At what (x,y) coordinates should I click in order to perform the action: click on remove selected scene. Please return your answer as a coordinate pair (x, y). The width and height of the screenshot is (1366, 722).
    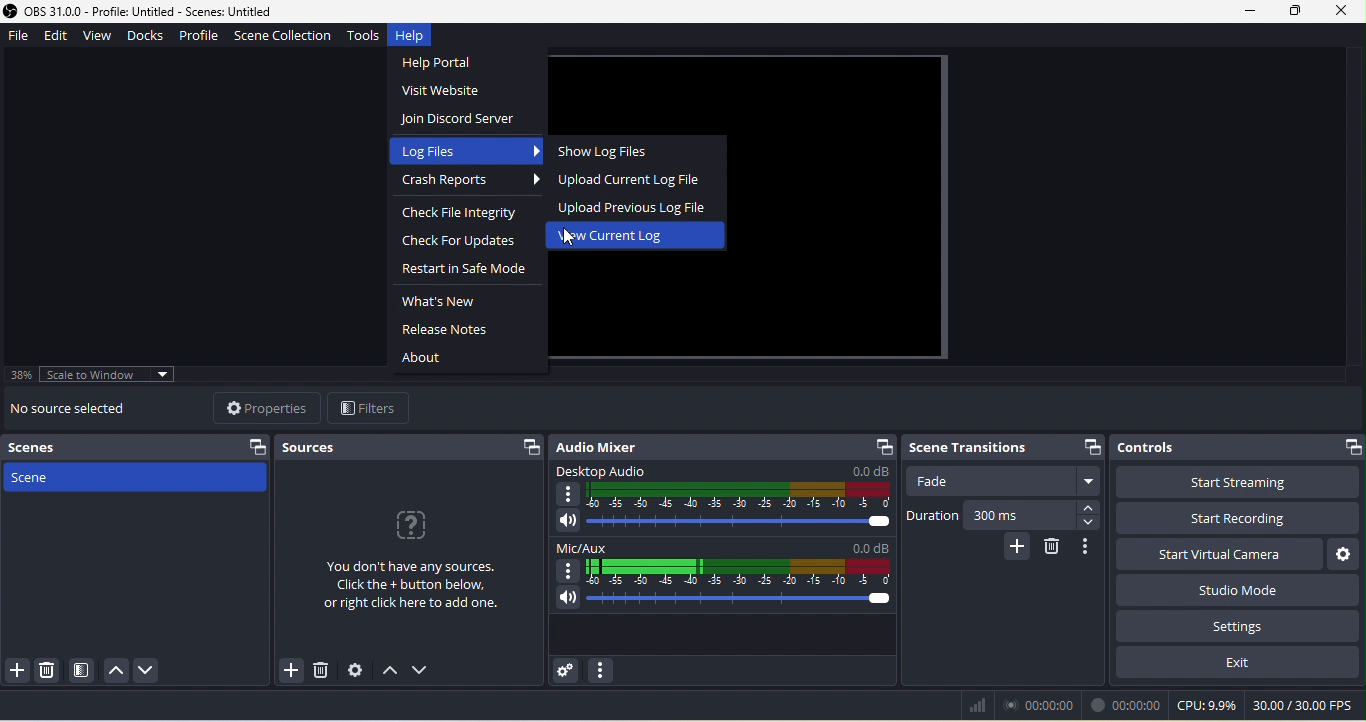
    Looking at the image, I should click on (47, 671).